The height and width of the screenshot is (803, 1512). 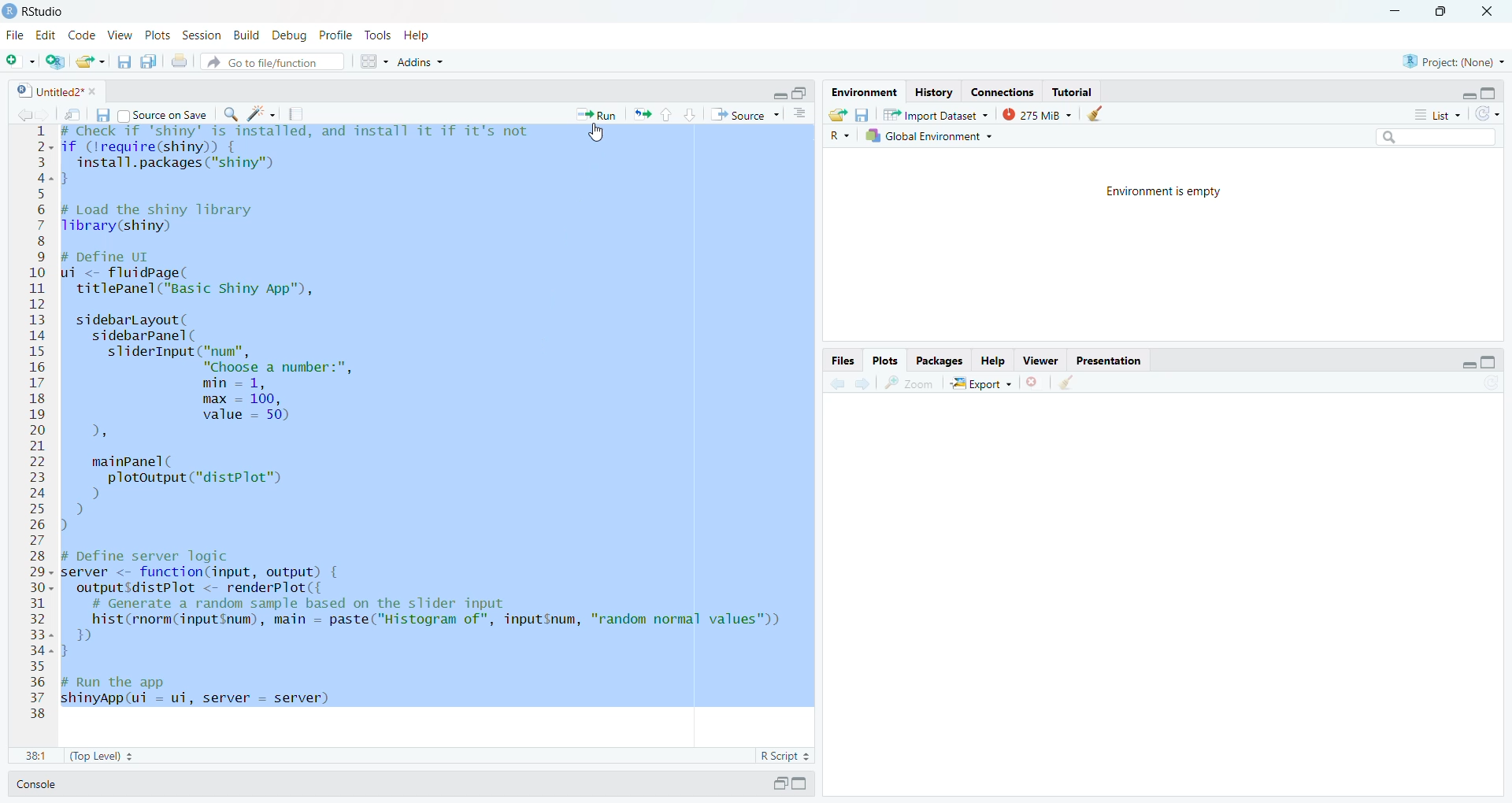 I want to click on Environment is empty, so click(x=1166, y=192).